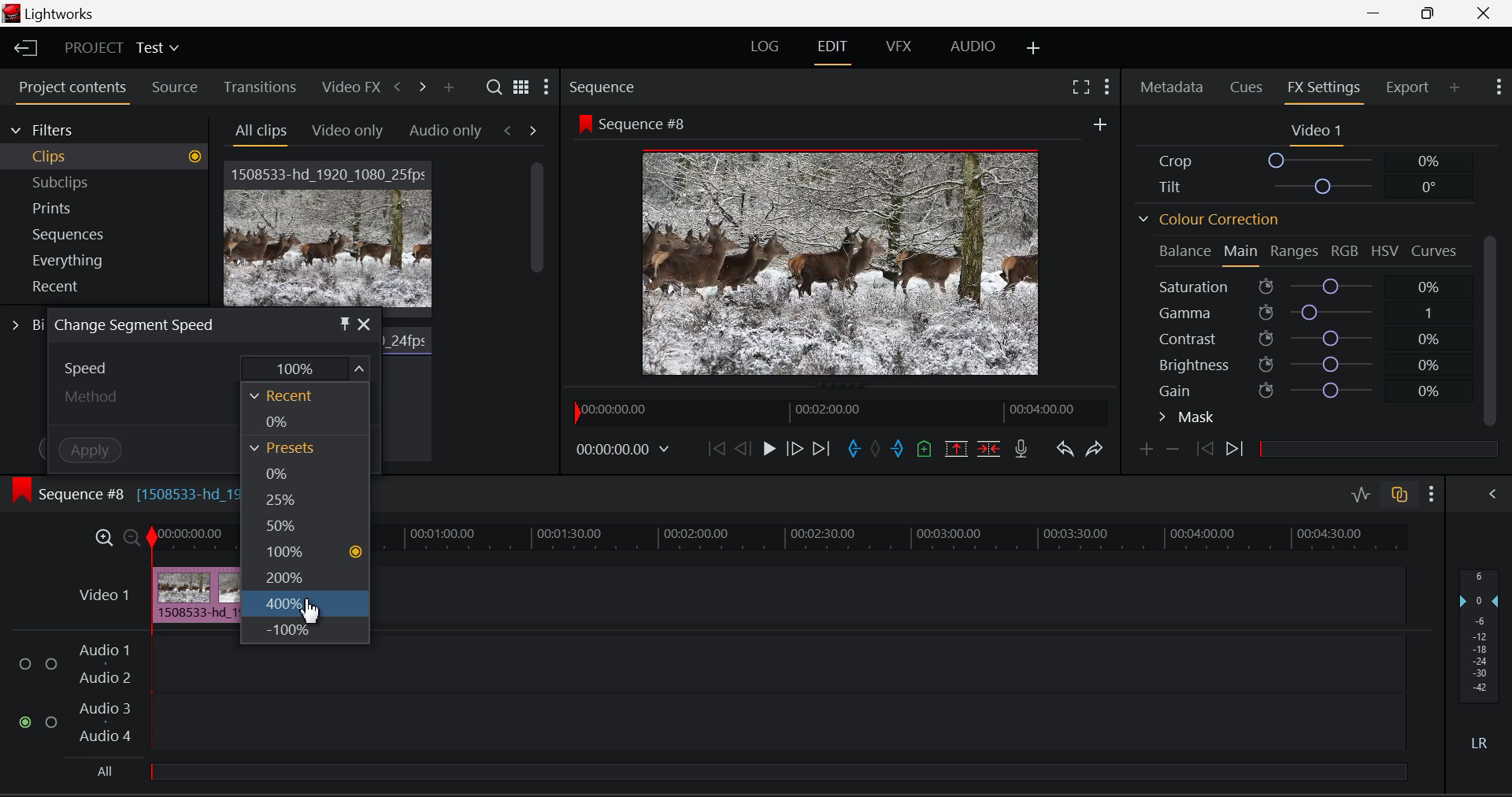 This screenshot has height=797, width=1512. I want to click on Project Timeline Preview Slider, so click(832, 410).